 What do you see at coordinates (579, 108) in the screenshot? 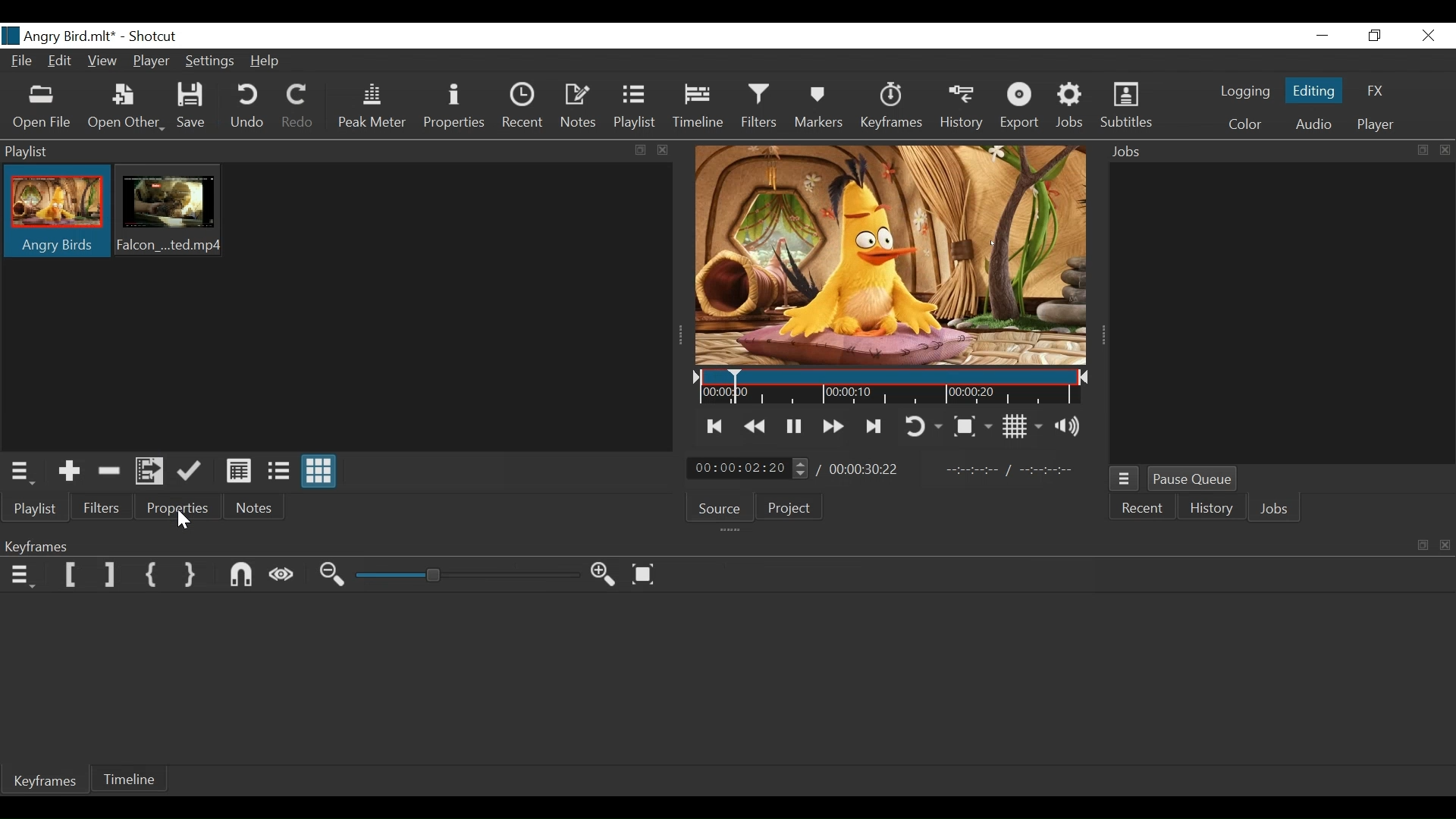
I see `Notes` at bounding box center [579, 108].